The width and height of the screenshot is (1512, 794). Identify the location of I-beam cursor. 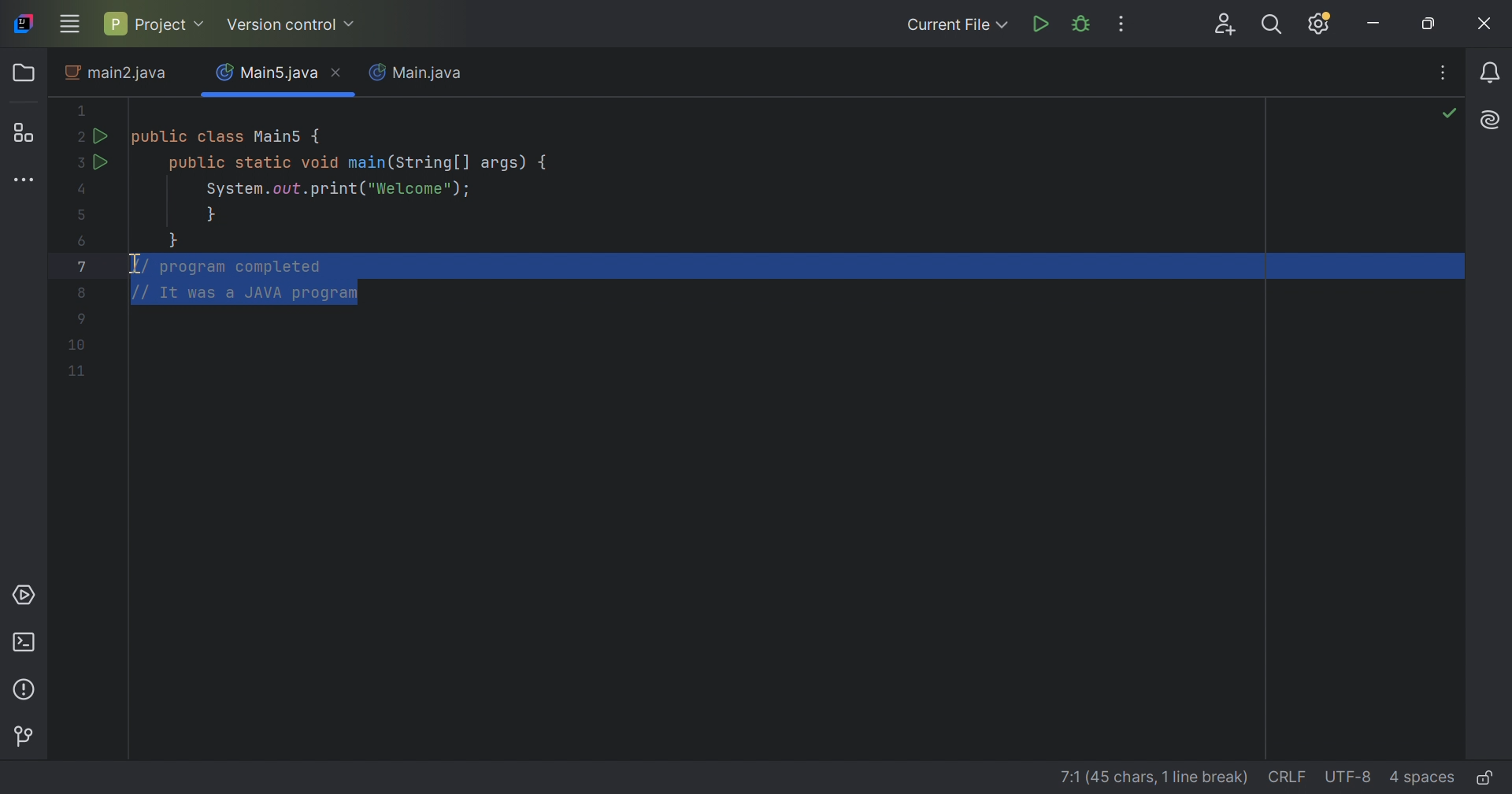
(131, 264).